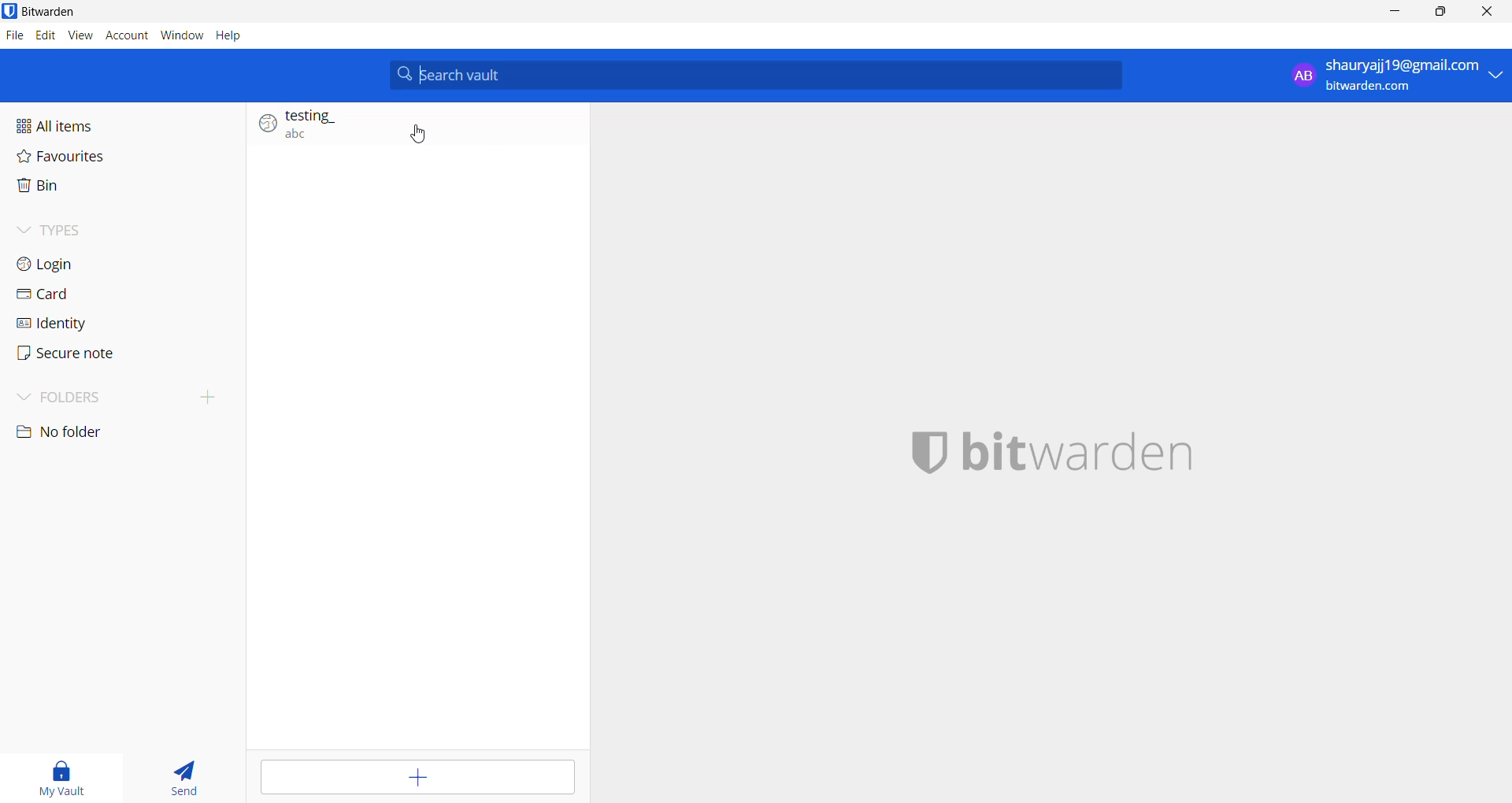 The height and width of the screenshot is (803, 1512). I want to click on All items, so click(121, 121).